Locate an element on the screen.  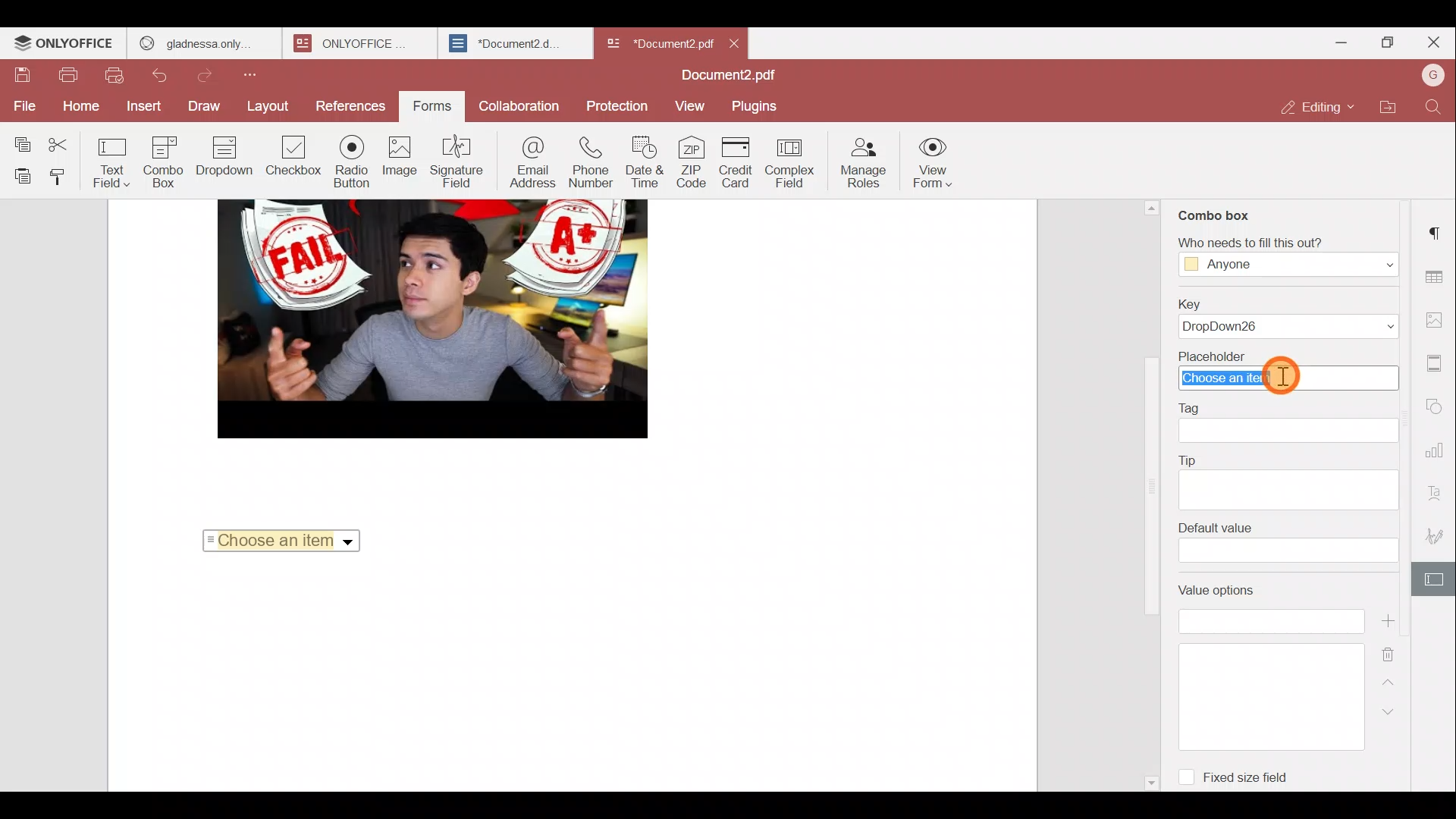
Default value is located at coordinates (1287, 542).